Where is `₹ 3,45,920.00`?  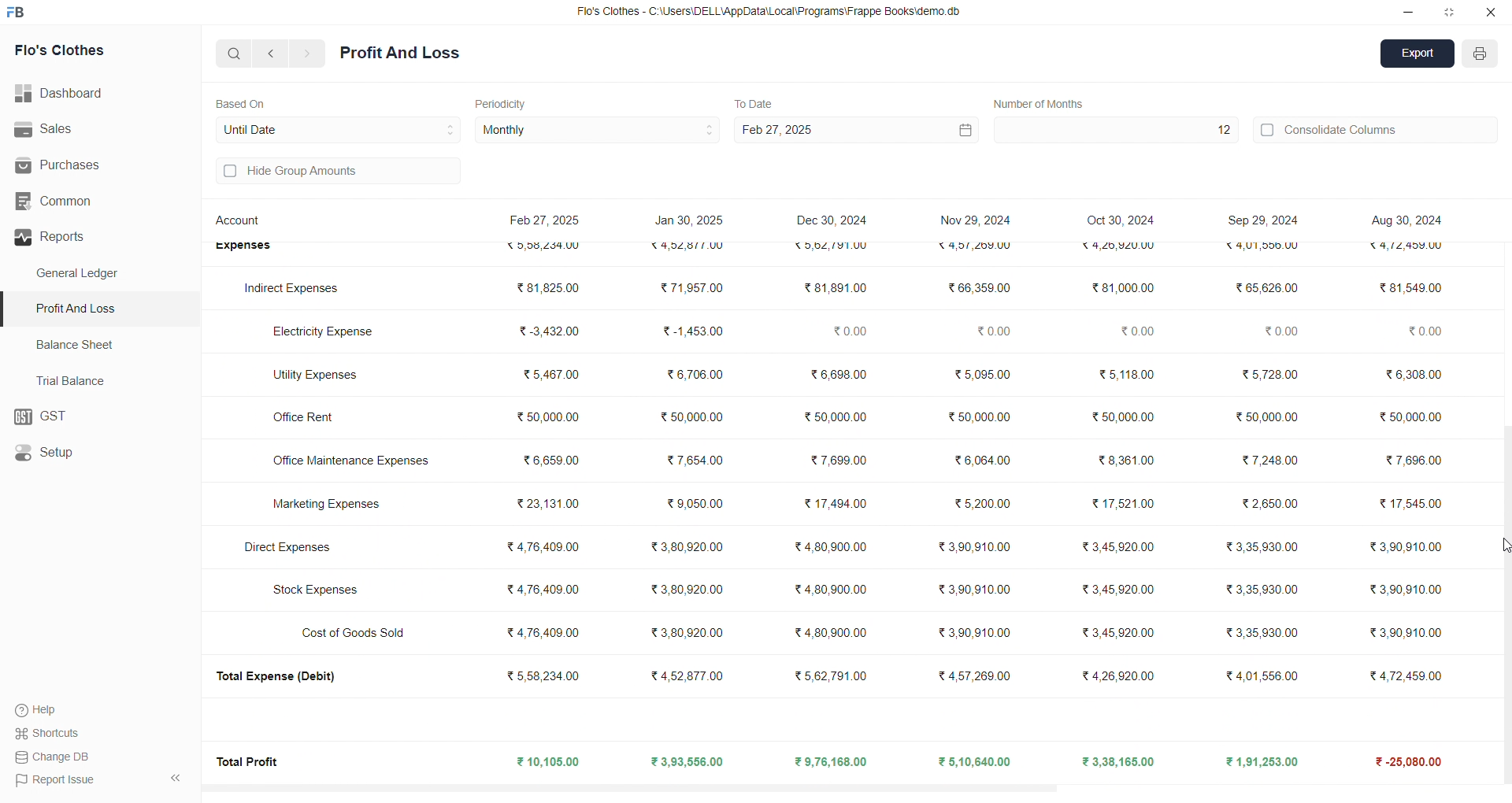 ₹ 3,45,920.00 is located at coordinates (1121, 547).